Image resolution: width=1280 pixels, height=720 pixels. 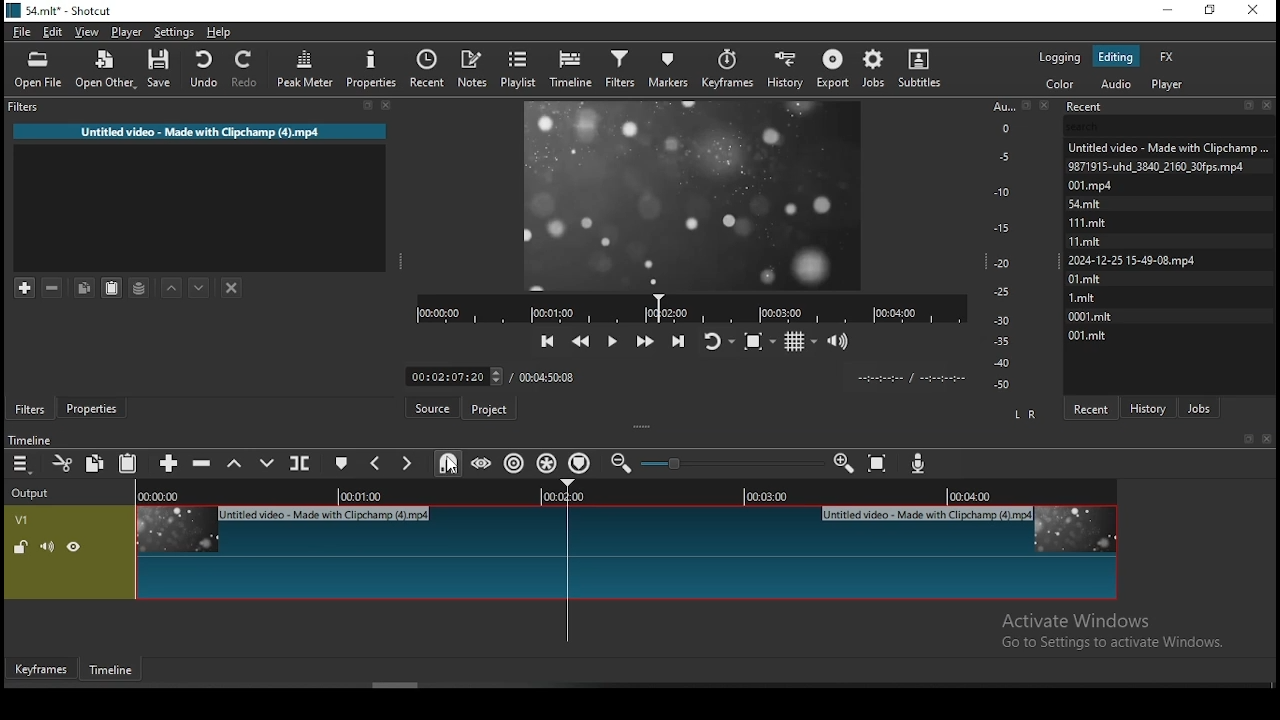 I want to click on L R, so click(x=1024, y=414).